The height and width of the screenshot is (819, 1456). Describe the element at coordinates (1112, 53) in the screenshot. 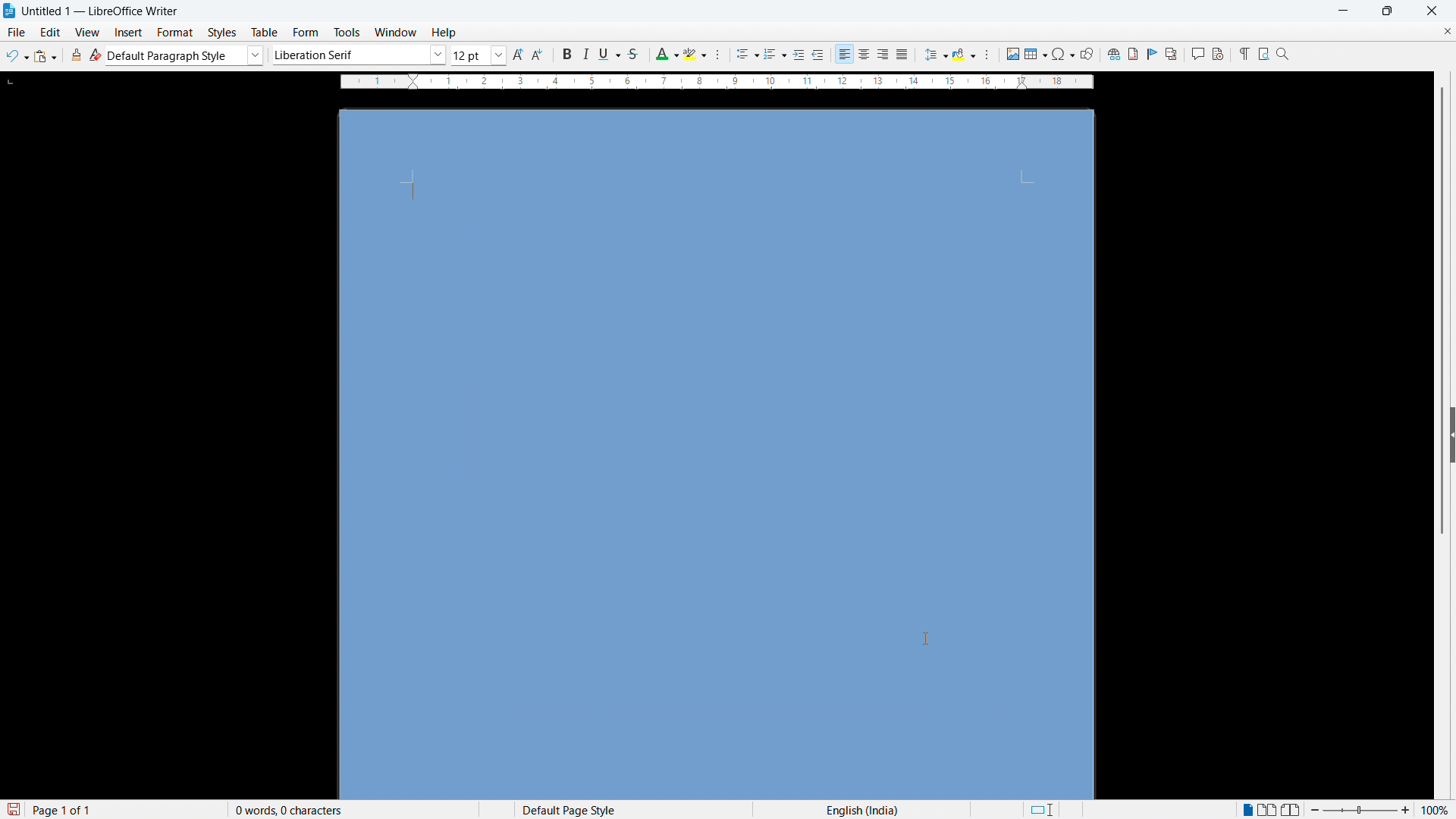

I see `Add link ` at that location.